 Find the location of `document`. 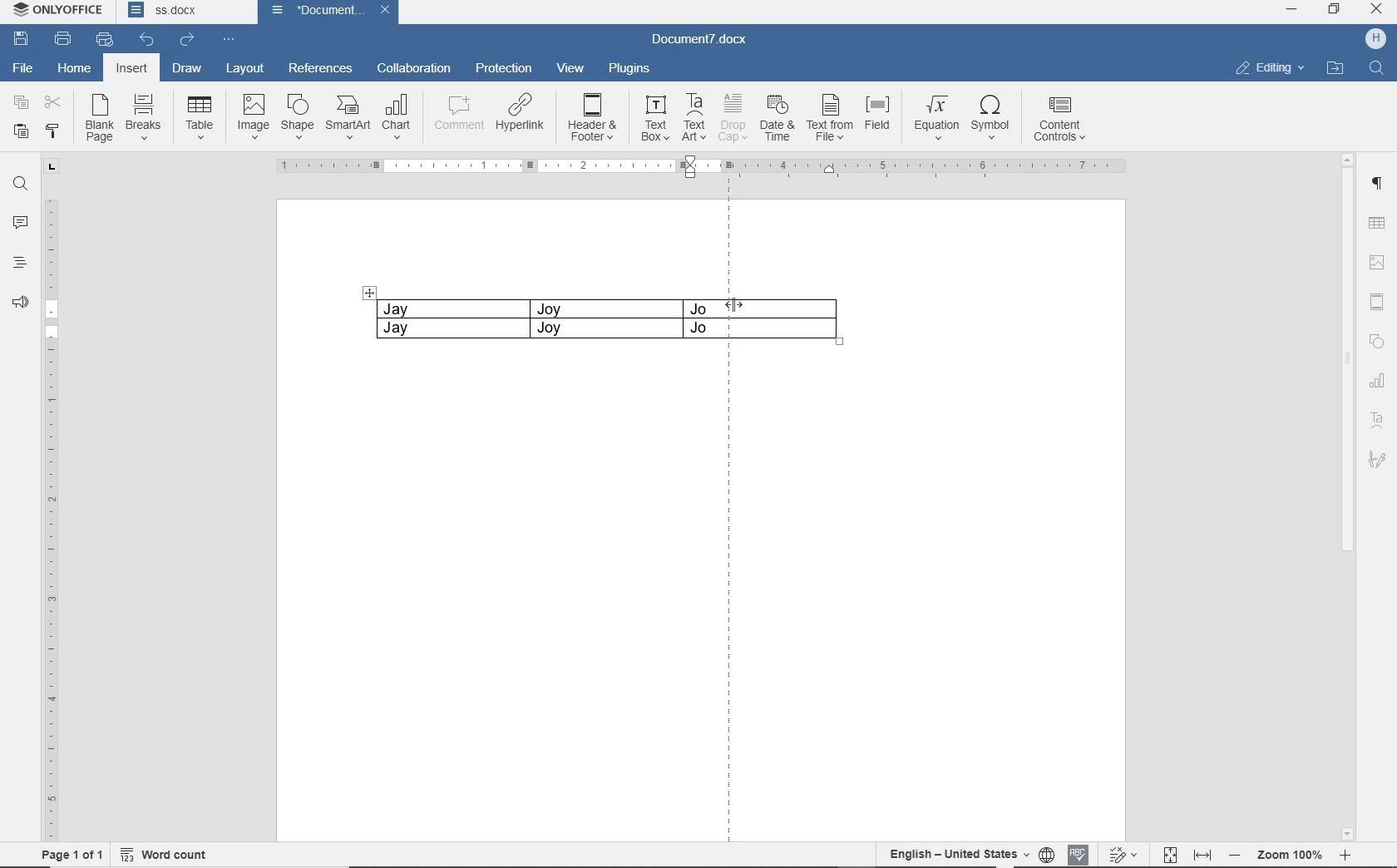

document is located at coordinates (310, 11).